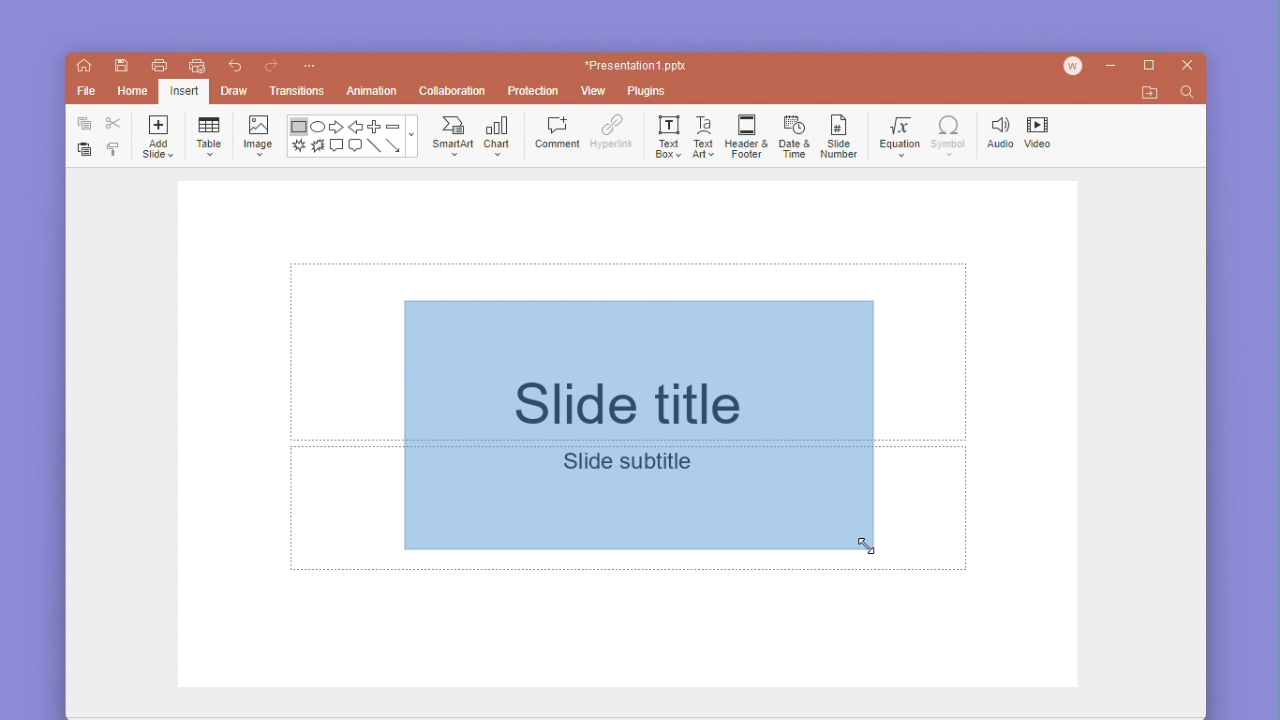 This screenshot has width=1280, height=720. Describe the element at coordinates (355, 147) in the screenshot. I see `message text box` at that location.